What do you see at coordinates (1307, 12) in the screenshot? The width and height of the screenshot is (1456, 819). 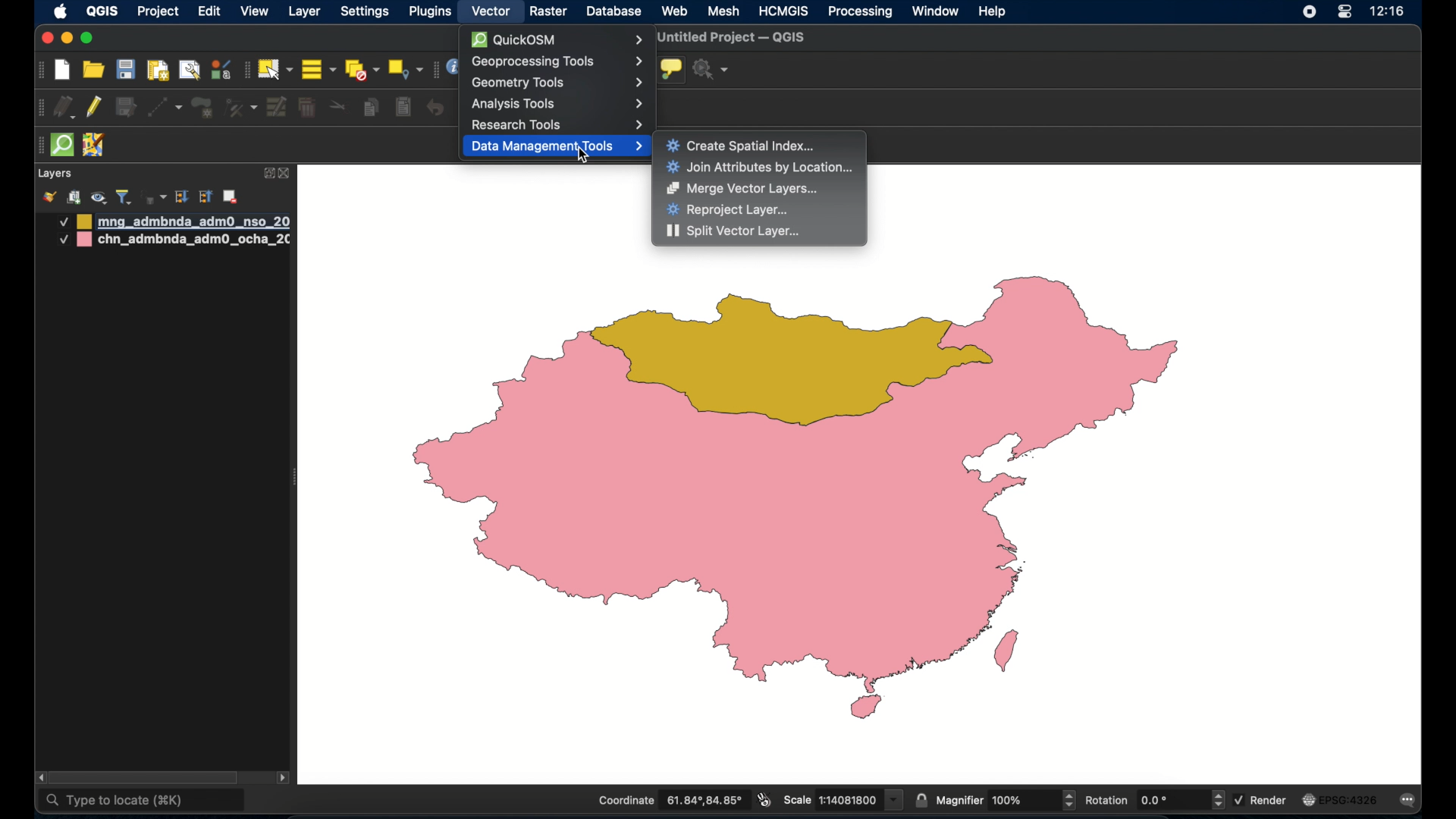 I see `screen recorder icon` at bounding box center [1307, 12].